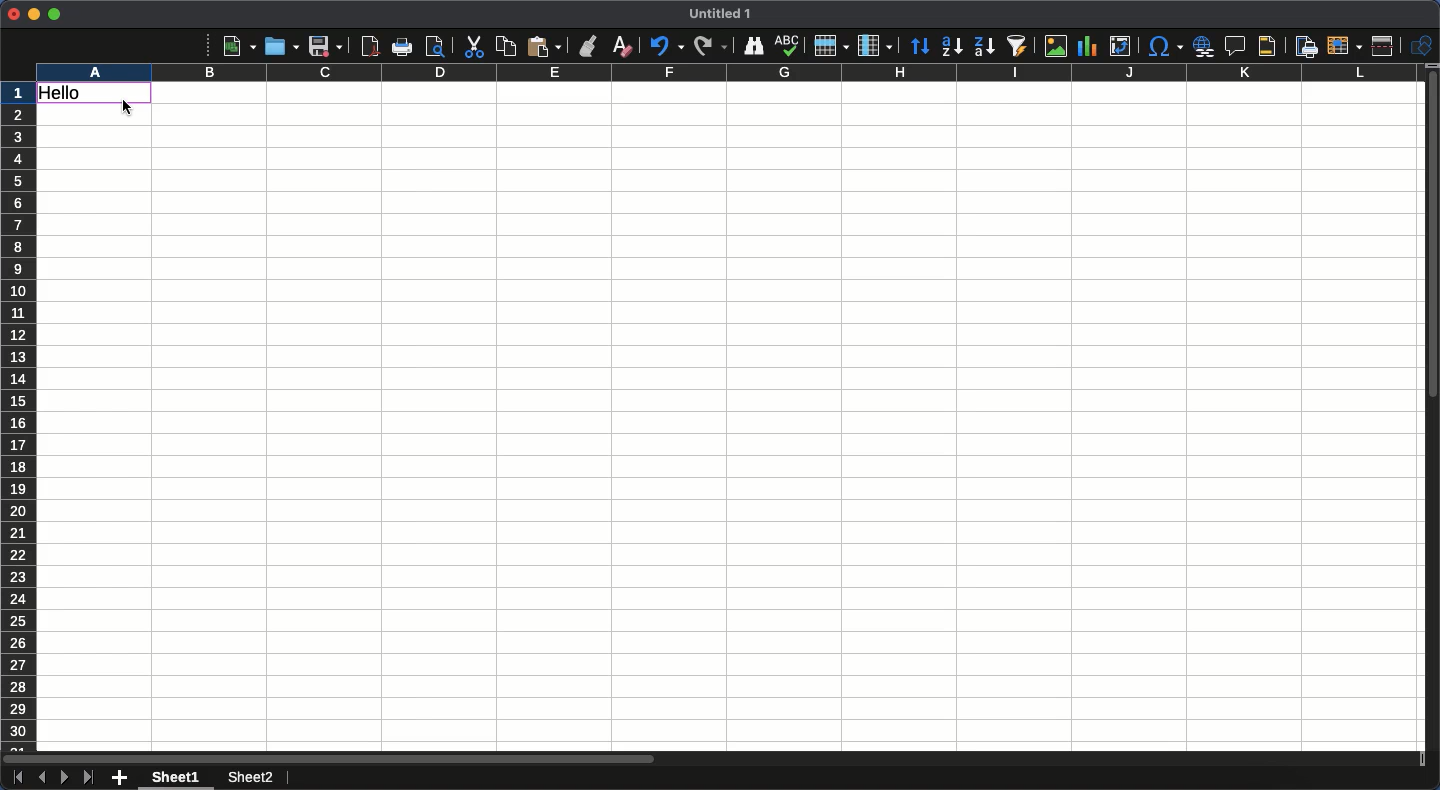 This screenshot has width=1440, height=790. Describe the element at coordinates (1238, 47) in the screenshot. I see `Insert comment` at that location.